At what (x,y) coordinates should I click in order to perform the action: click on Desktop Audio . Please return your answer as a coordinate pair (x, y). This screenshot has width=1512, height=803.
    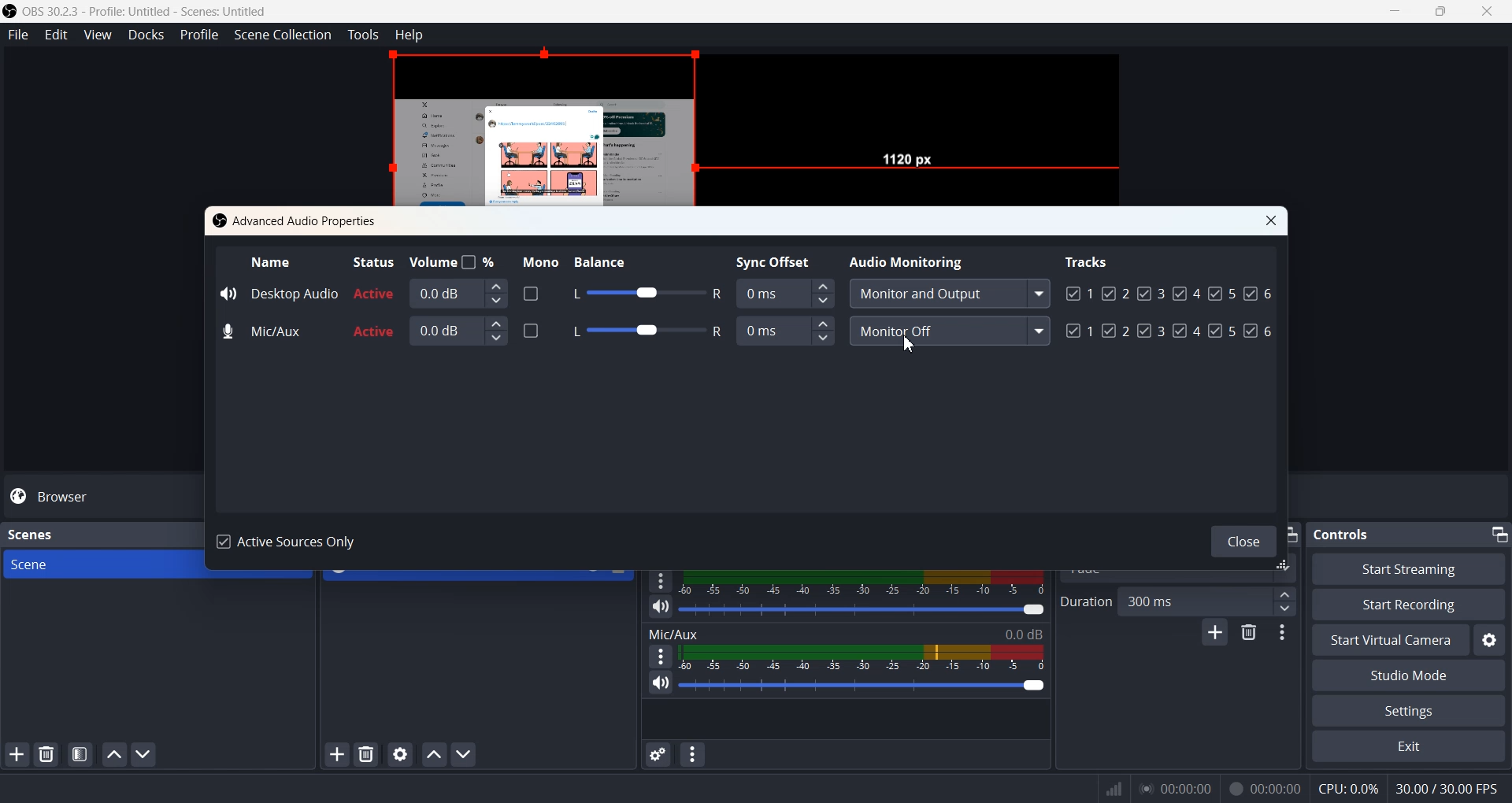
    Looking at the image, I should click on (278, 292).